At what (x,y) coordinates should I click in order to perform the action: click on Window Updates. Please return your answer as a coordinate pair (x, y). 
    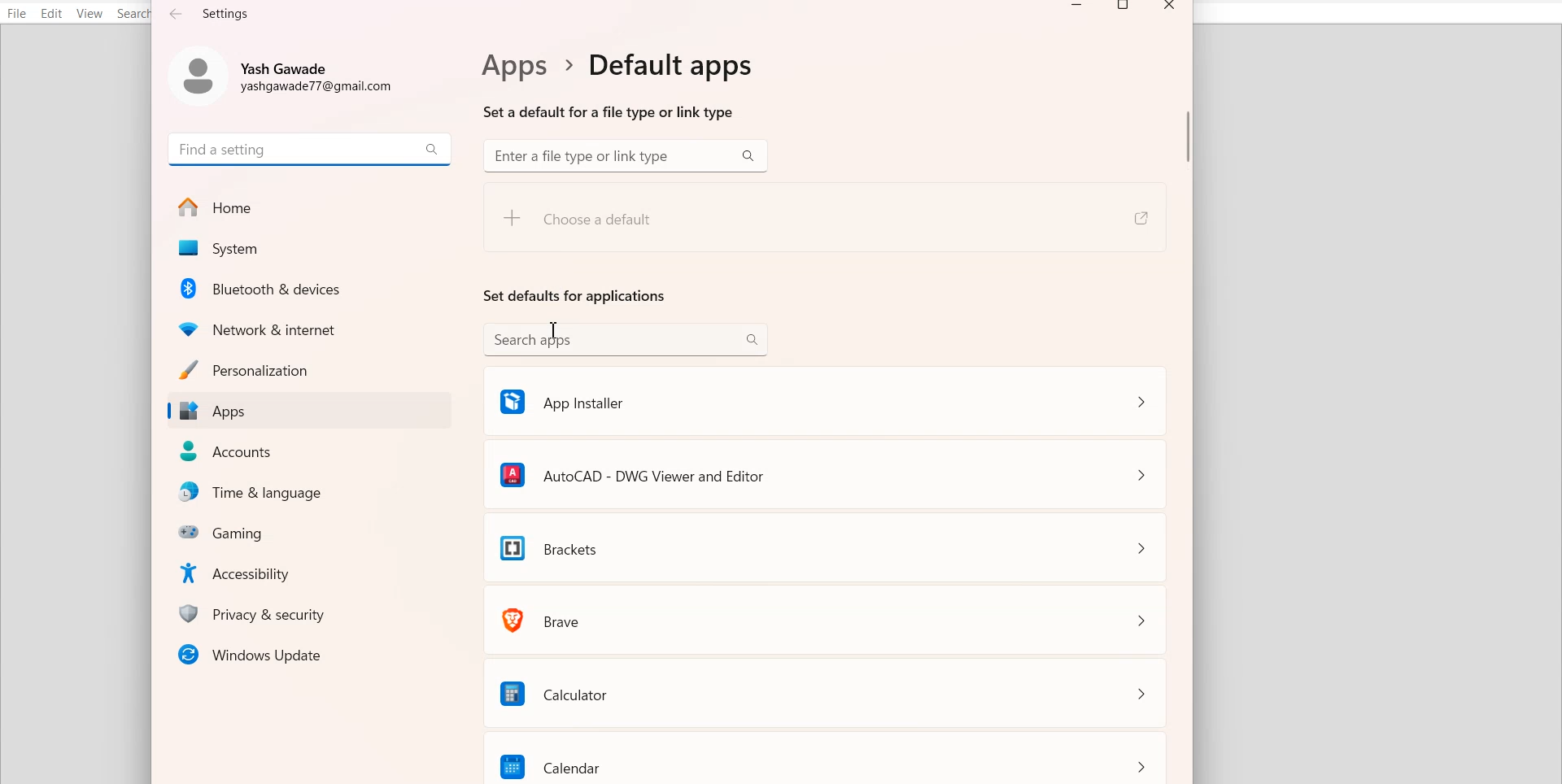
    Looking at the image, I should click on (308, 654).